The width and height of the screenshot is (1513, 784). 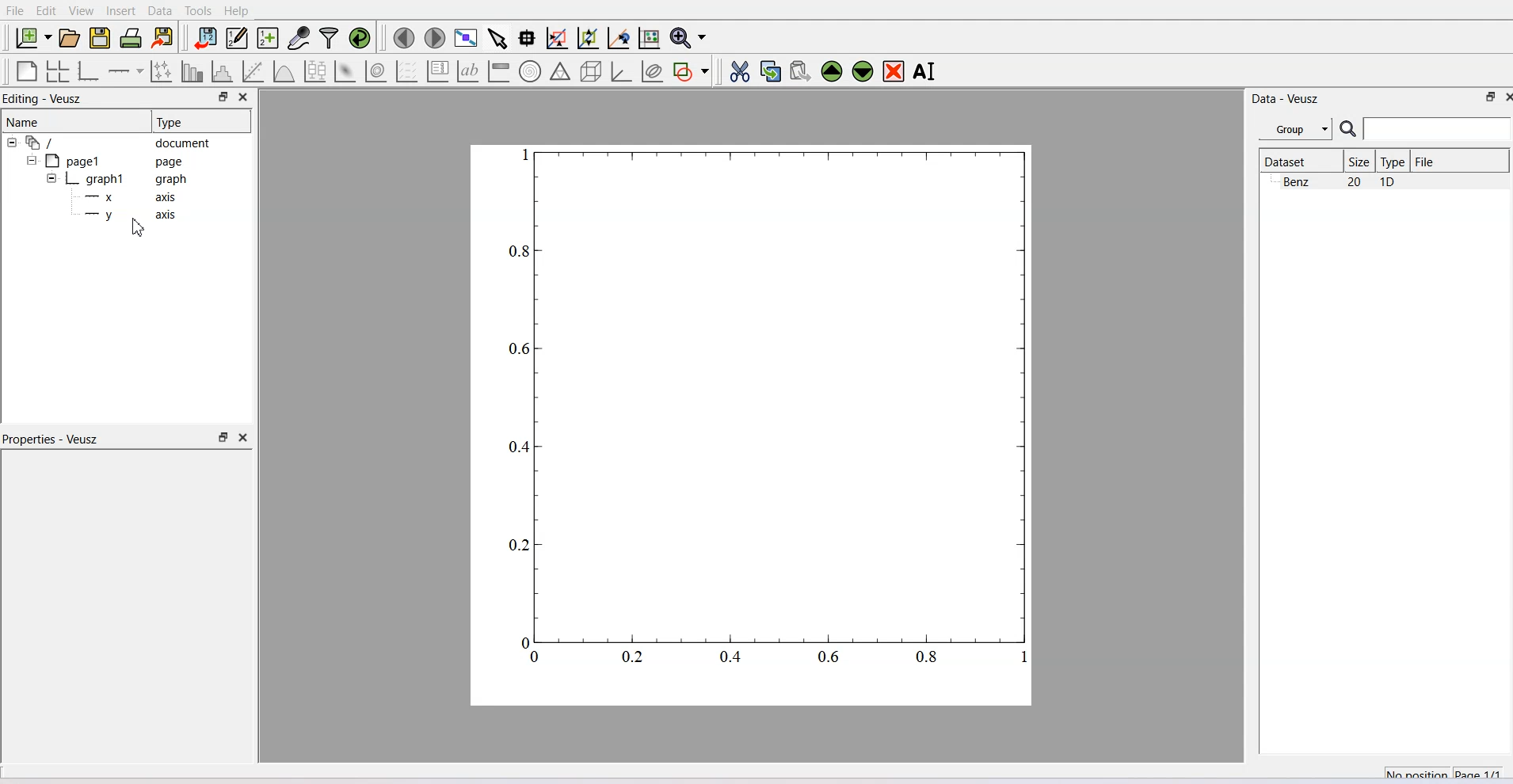 I want to click on Draw rectangle to zoom graph axes, so click(x=558, y=38).